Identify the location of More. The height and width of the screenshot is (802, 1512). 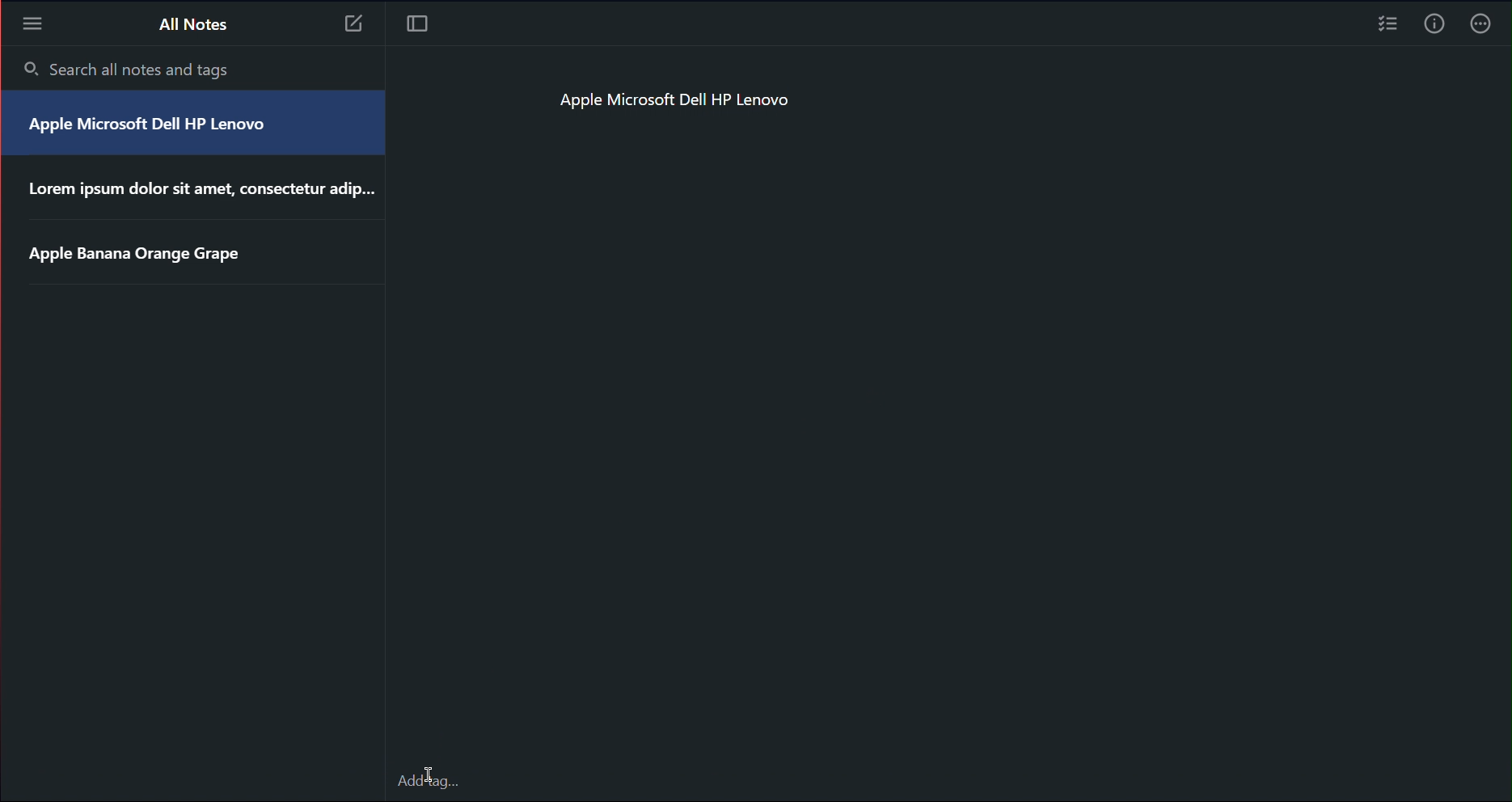
(1485, 27).